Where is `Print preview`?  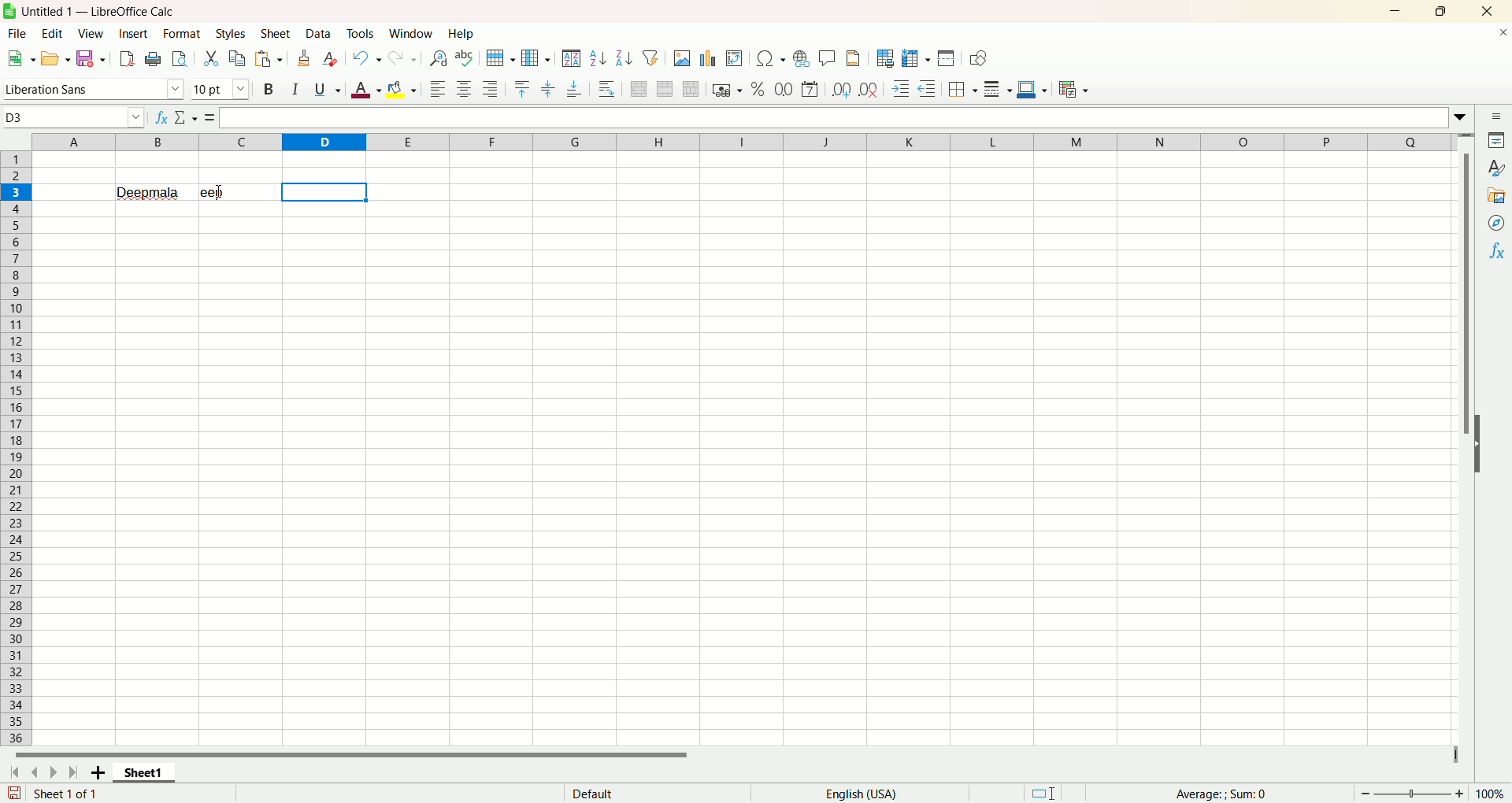
Print preview is located at coordinates (179, 59).